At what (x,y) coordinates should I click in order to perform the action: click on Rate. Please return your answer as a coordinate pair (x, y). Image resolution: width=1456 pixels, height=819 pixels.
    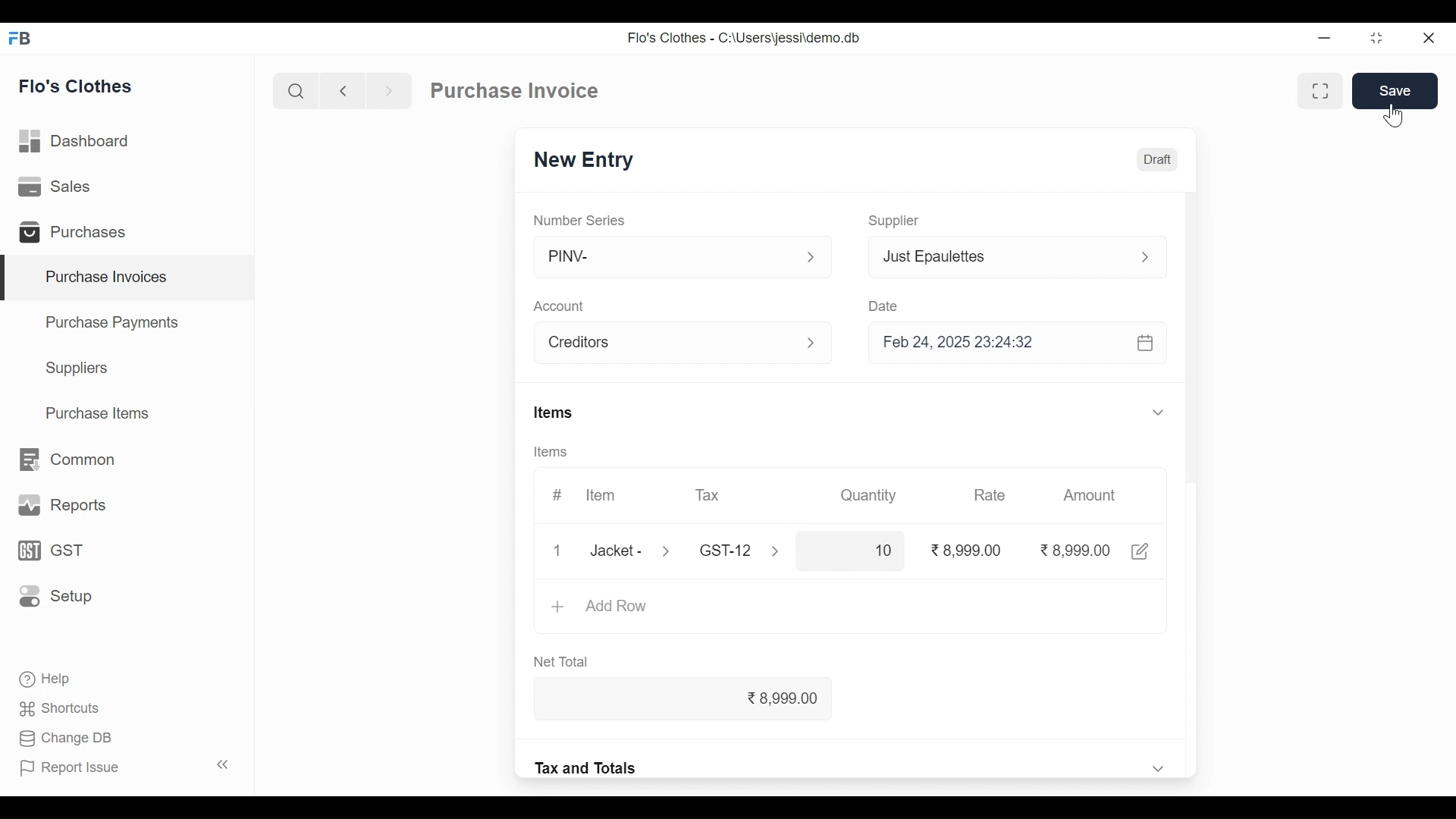
    Looking at the image, I should click on (988, 495).